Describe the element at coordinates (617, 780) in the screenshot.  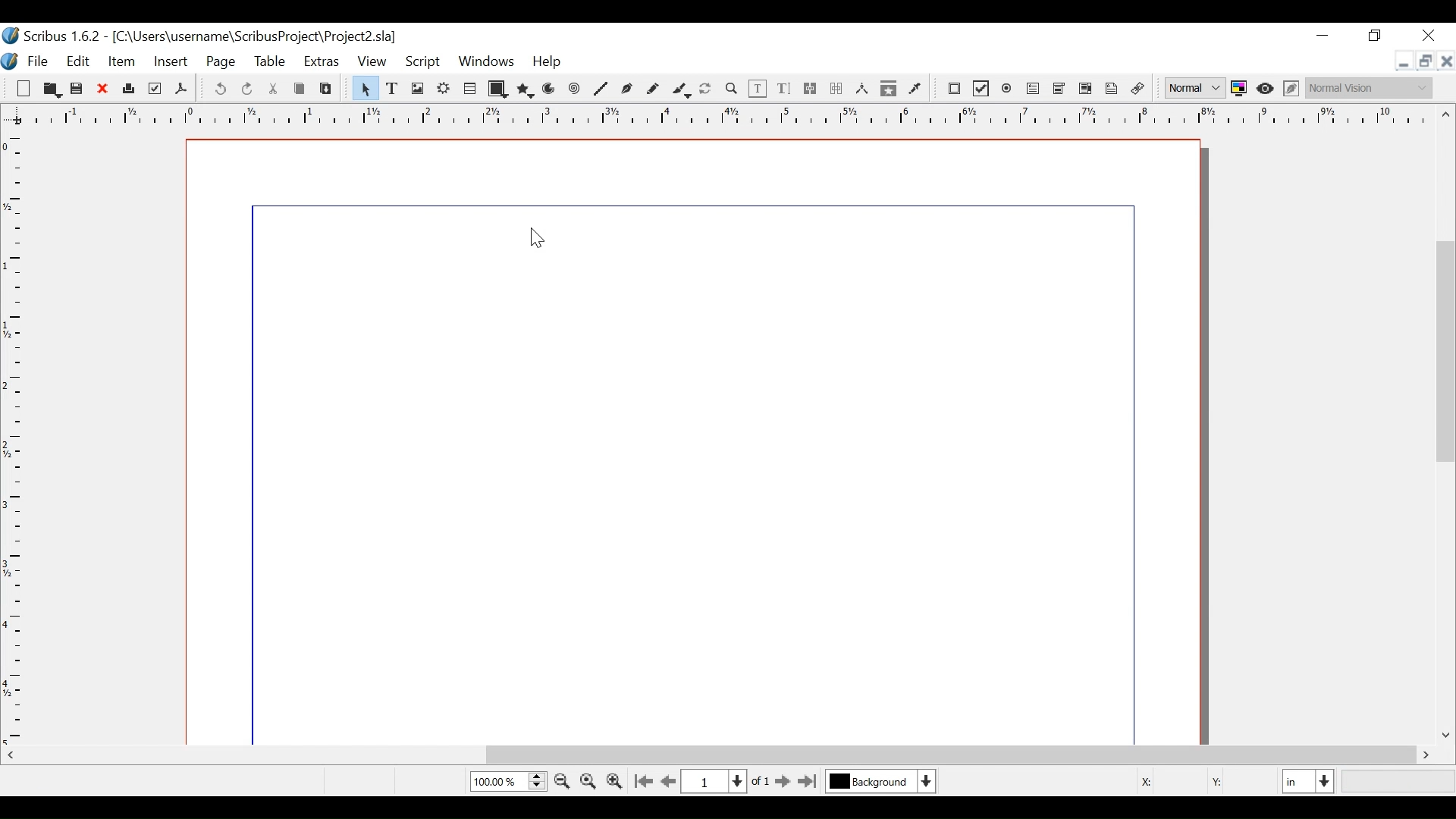
I see `Zoom in` at that location.